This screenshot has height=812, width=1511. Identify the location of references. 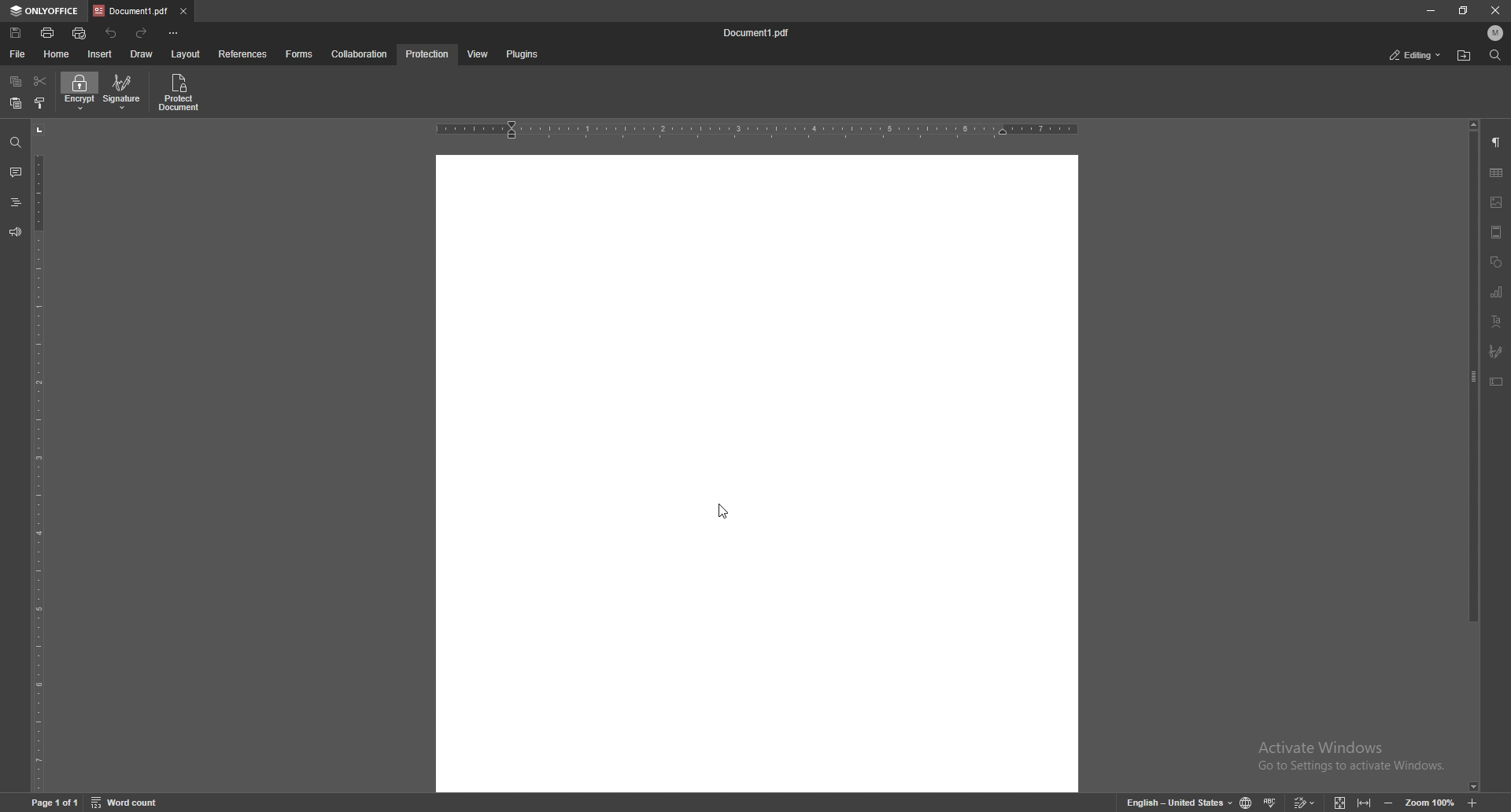
(242, 55).